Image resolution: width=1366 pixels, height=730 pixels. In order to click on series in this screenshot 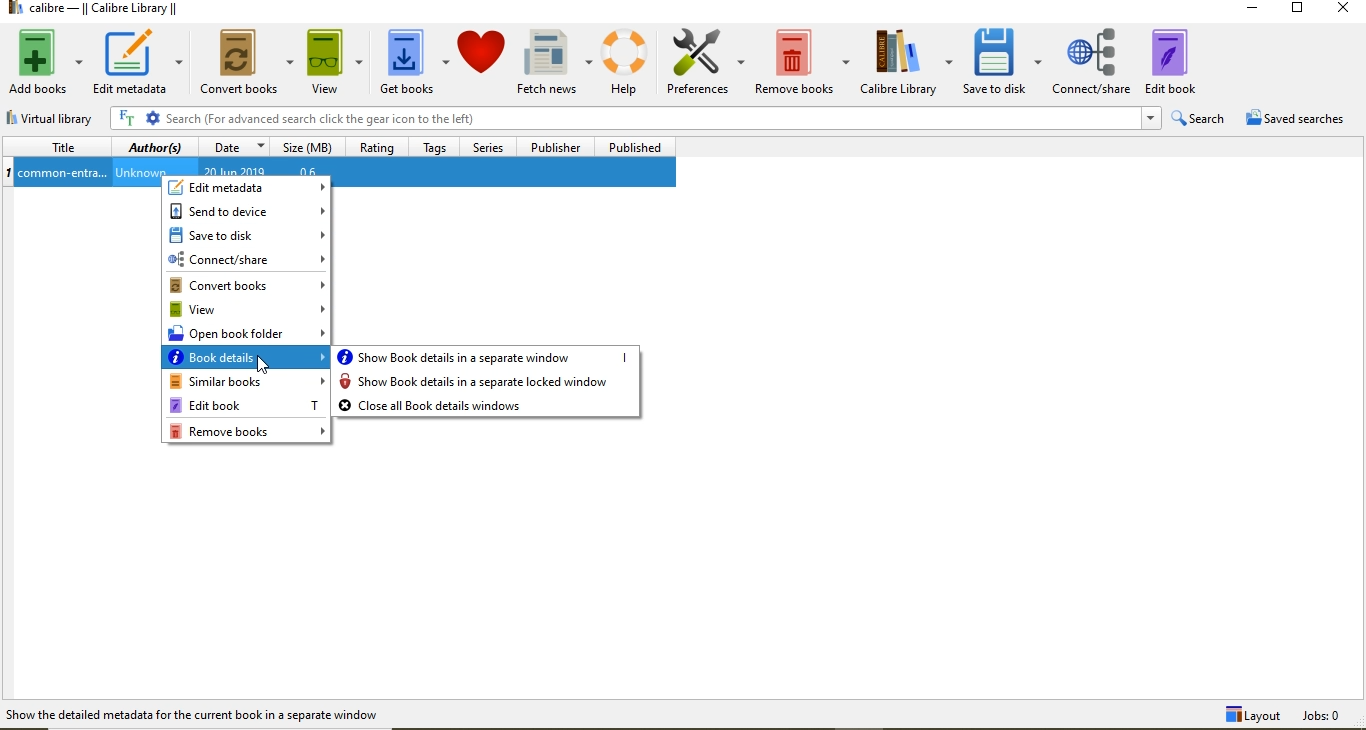, I will do `click(490, 148)`.